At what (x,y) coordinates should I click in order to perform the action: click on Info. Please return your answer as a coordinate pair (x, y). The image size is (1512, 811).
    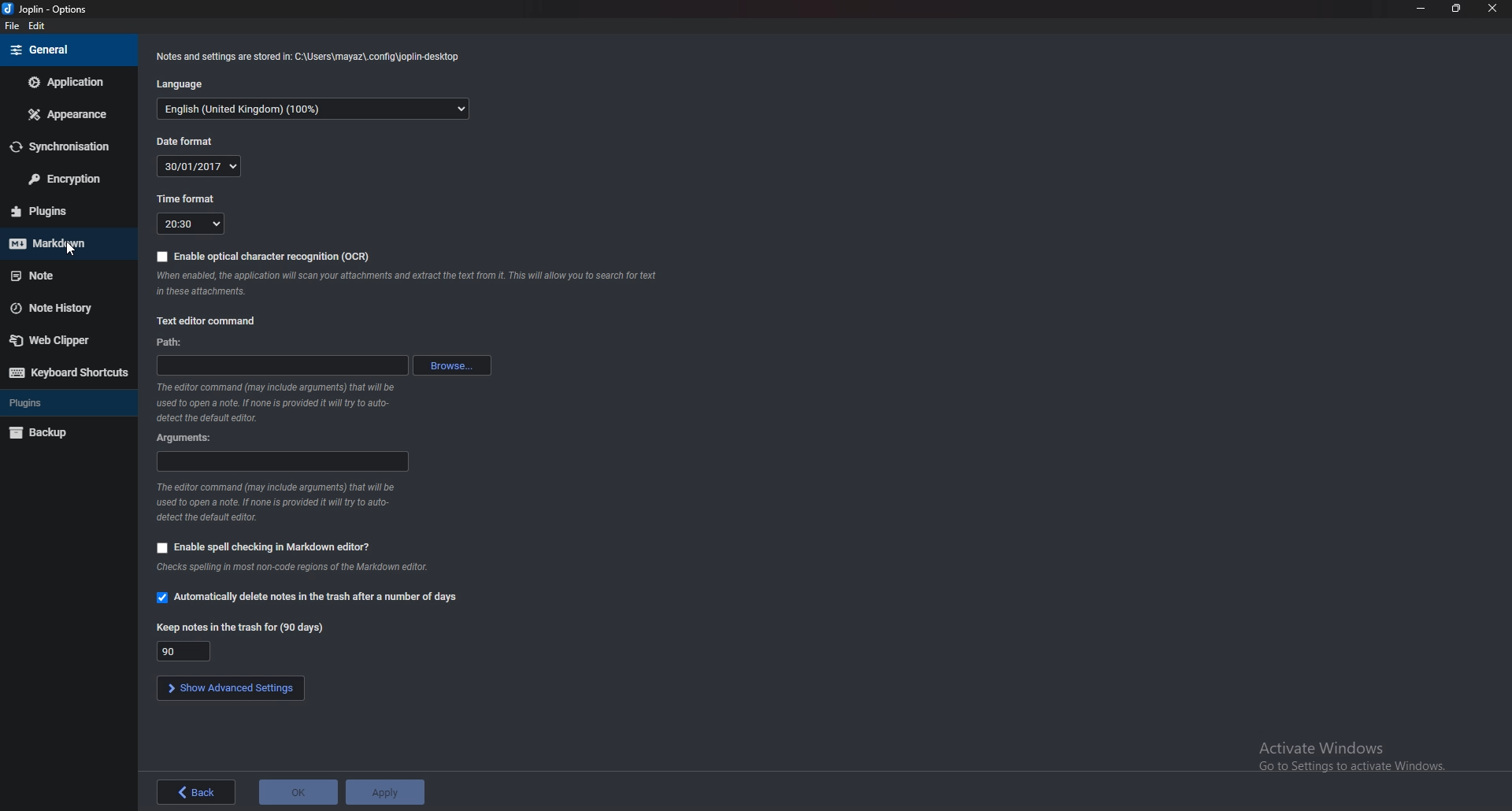
    Looking at the image, I should click on (277, 402).